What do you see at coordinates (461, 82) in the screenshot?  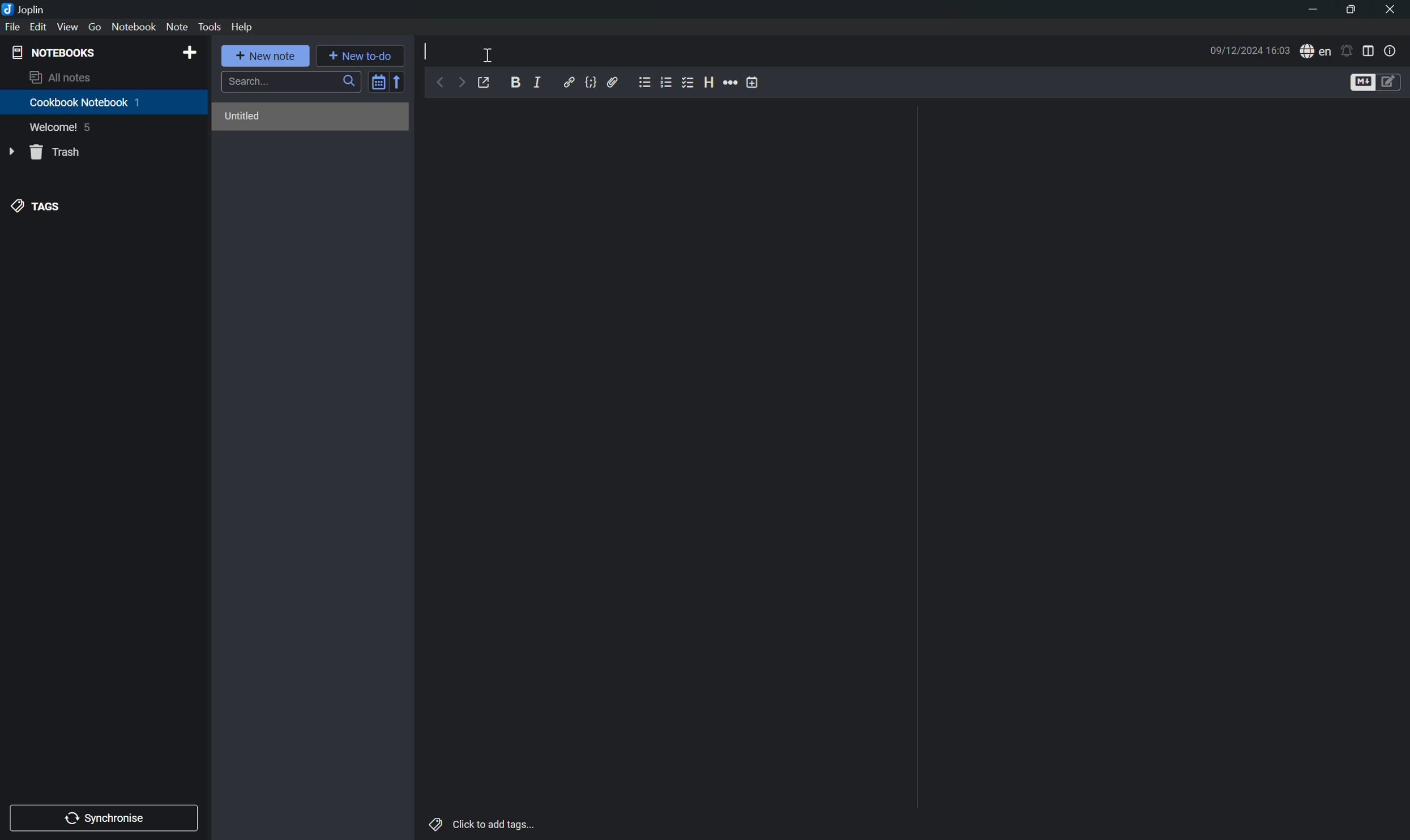 I see `Forward` at bounding box center [461, 82].